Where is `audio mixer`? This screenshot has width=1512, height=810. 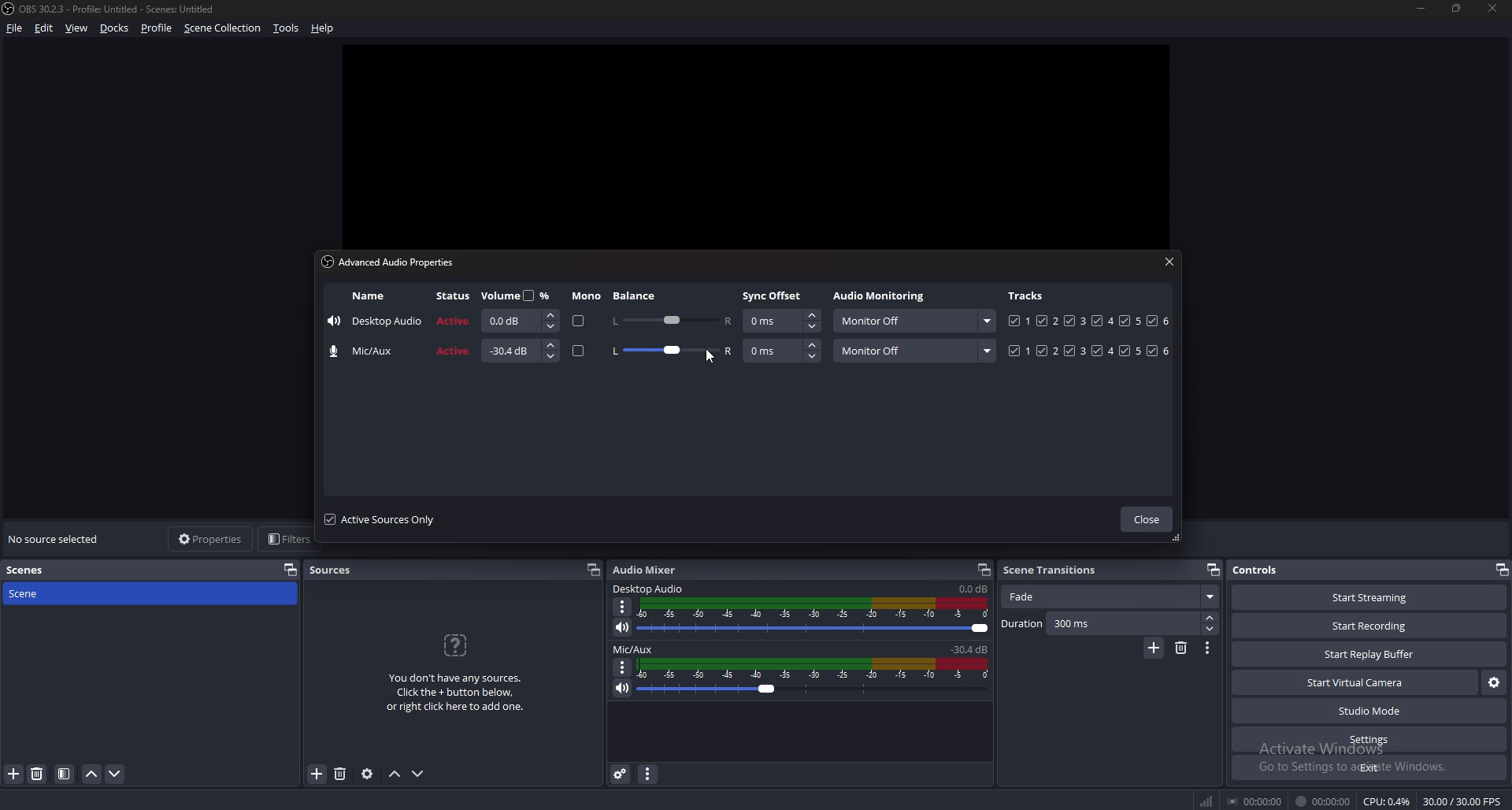 audio mixer is located at coordinates (645, 570).